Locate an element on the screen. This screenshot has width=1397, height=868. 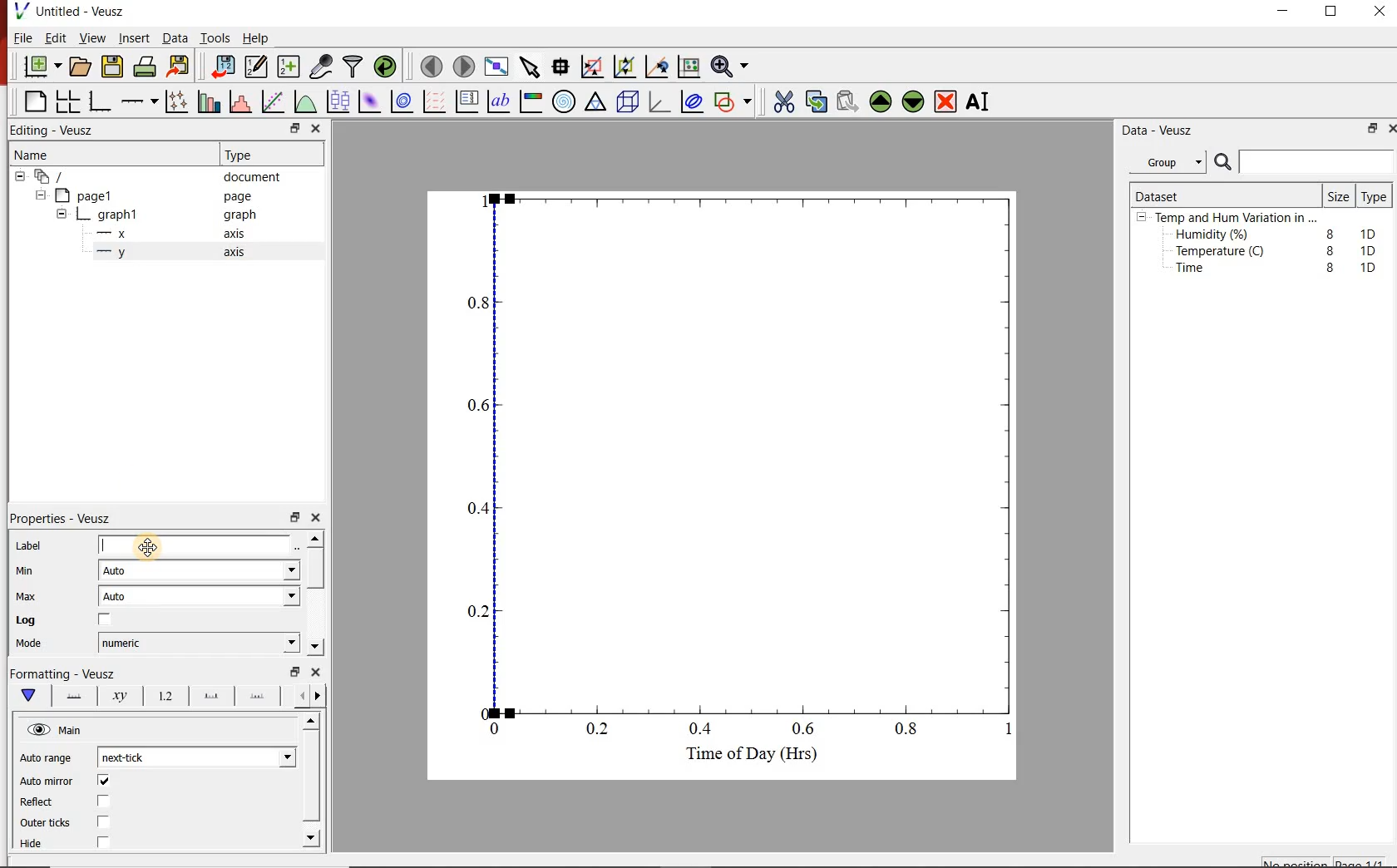
Data - Veusz is located at coordinates (1161, 131).